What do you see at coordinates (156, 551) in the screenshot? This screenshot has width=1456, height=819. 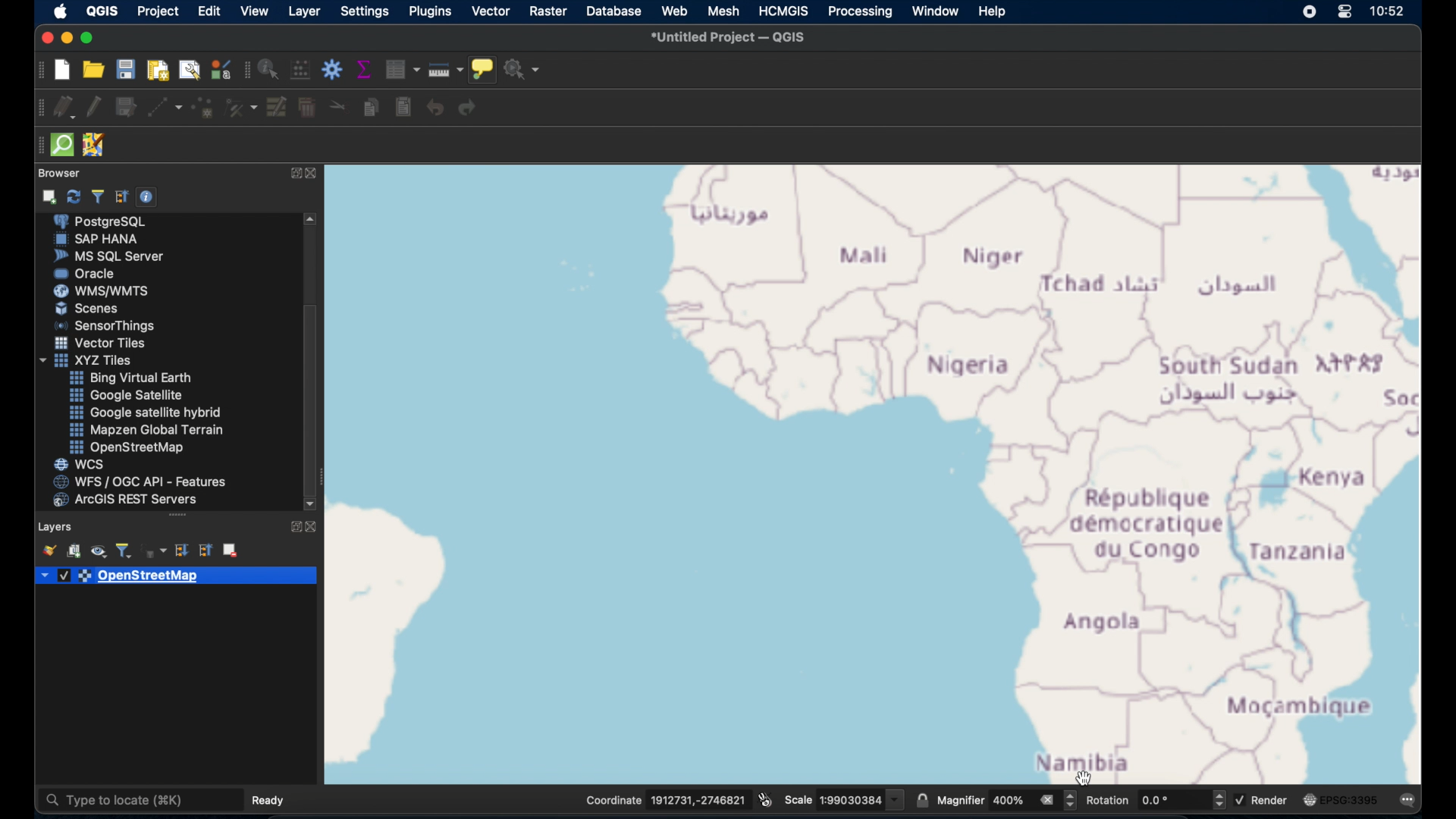 I see `filter legend by expression` at bounding box center [156, 551].